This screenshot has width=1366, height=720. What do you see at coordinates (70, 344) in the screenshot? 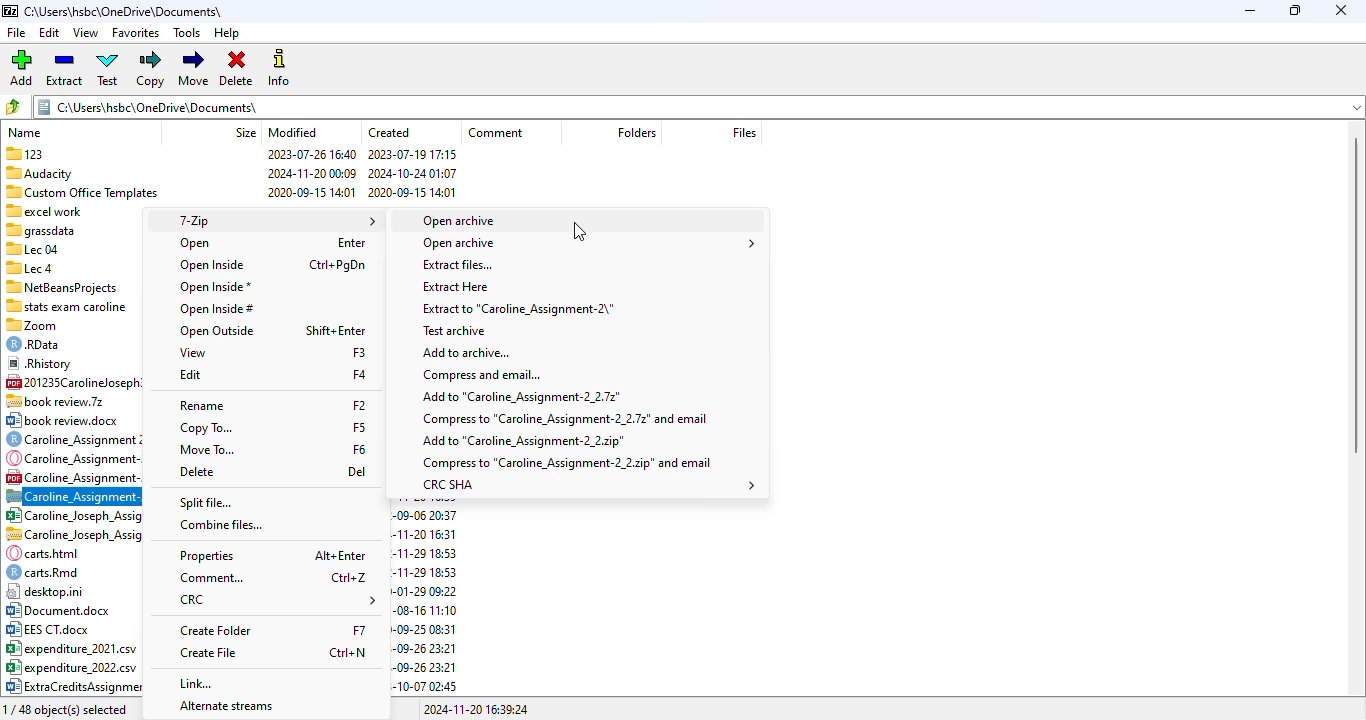
I see `€) RData 38899 2023-10-12 11:40 2023-10-12 11:40` at bounding box center [70, 344].